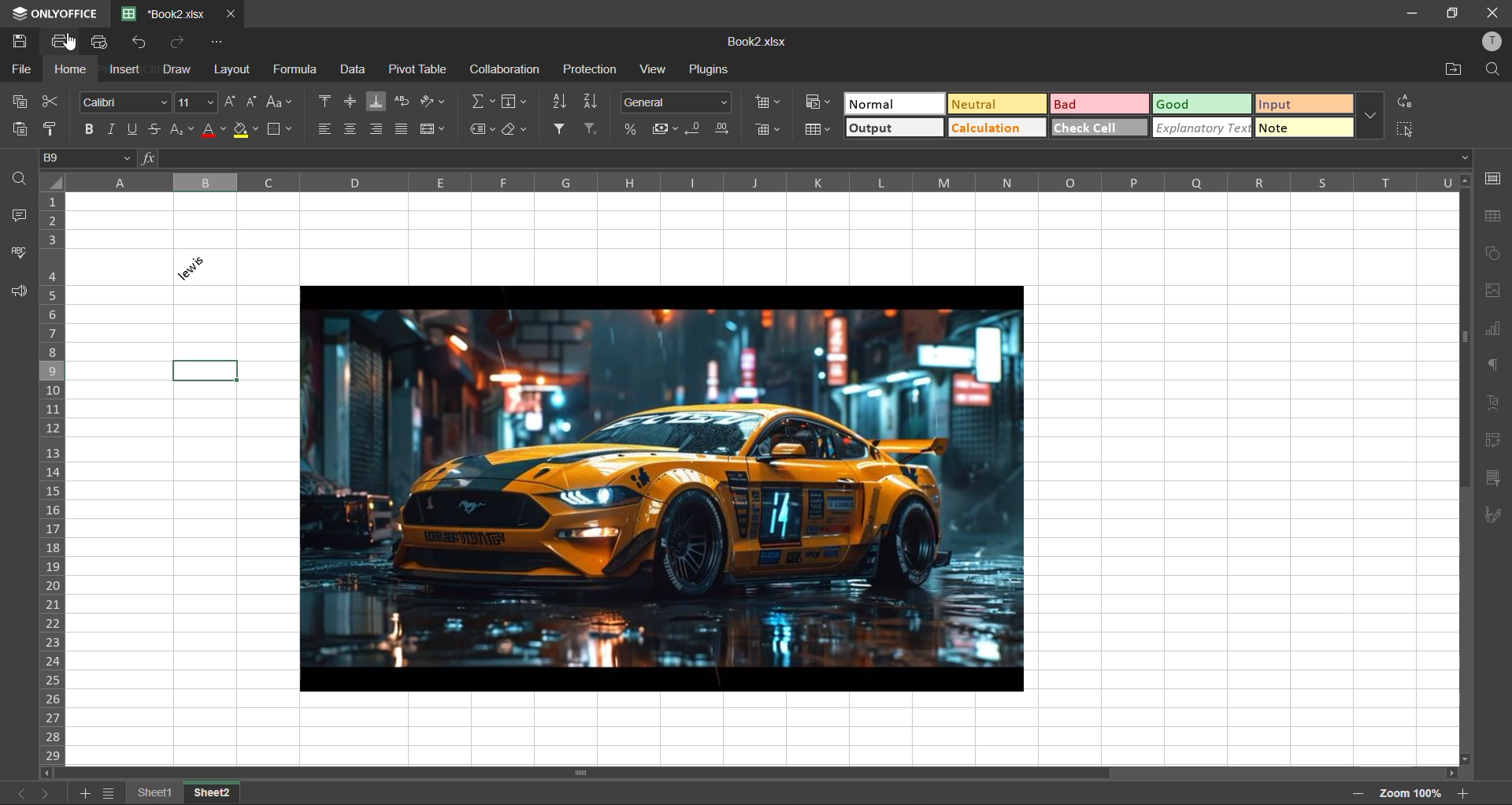 This screenshot has height=805, width=1512. Describe the element at coordinates (1202, 128) in the screenshot. I see `explanatory text` at that location.